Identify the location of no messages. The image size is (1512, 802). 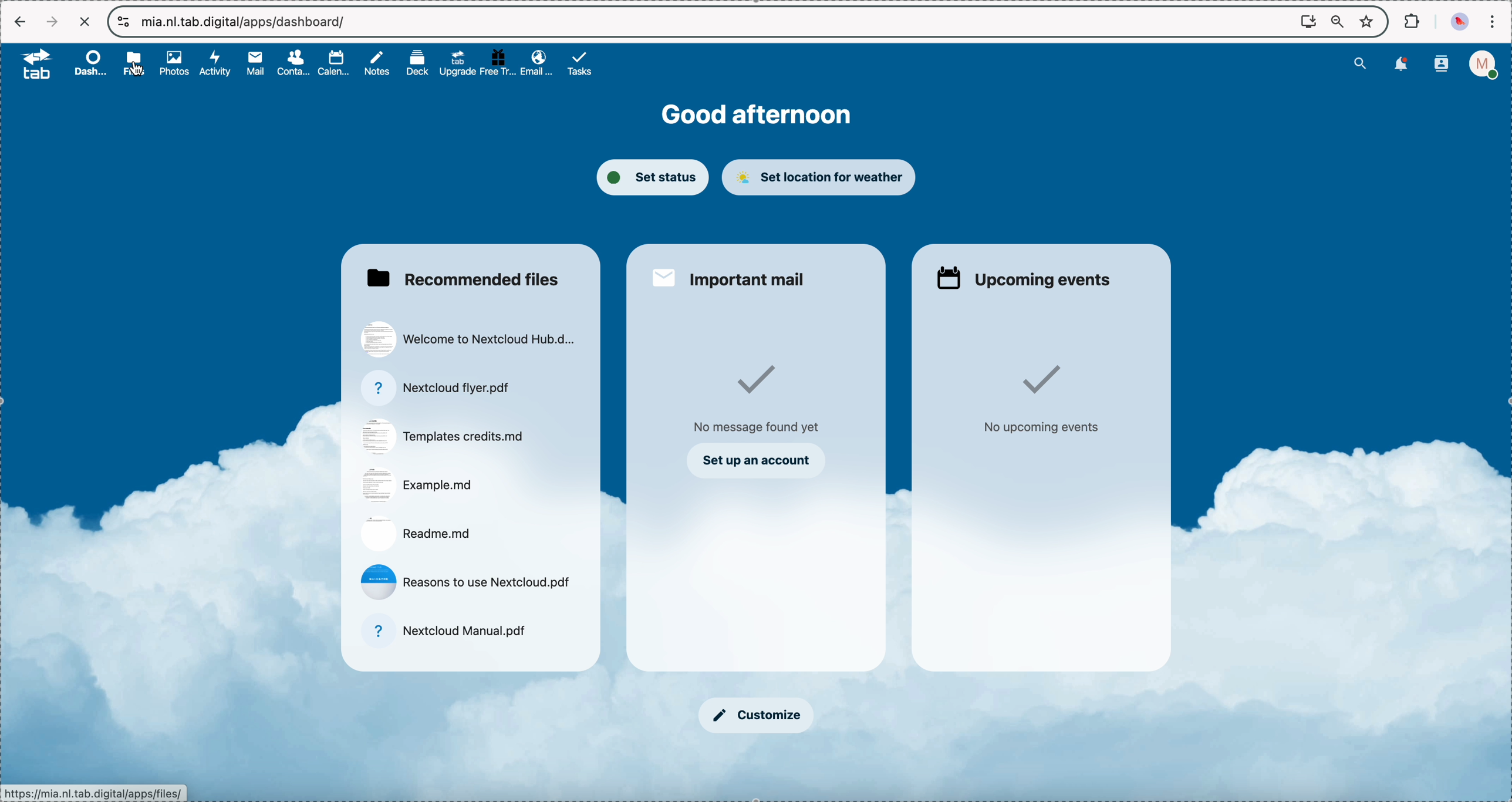
(757, 399).